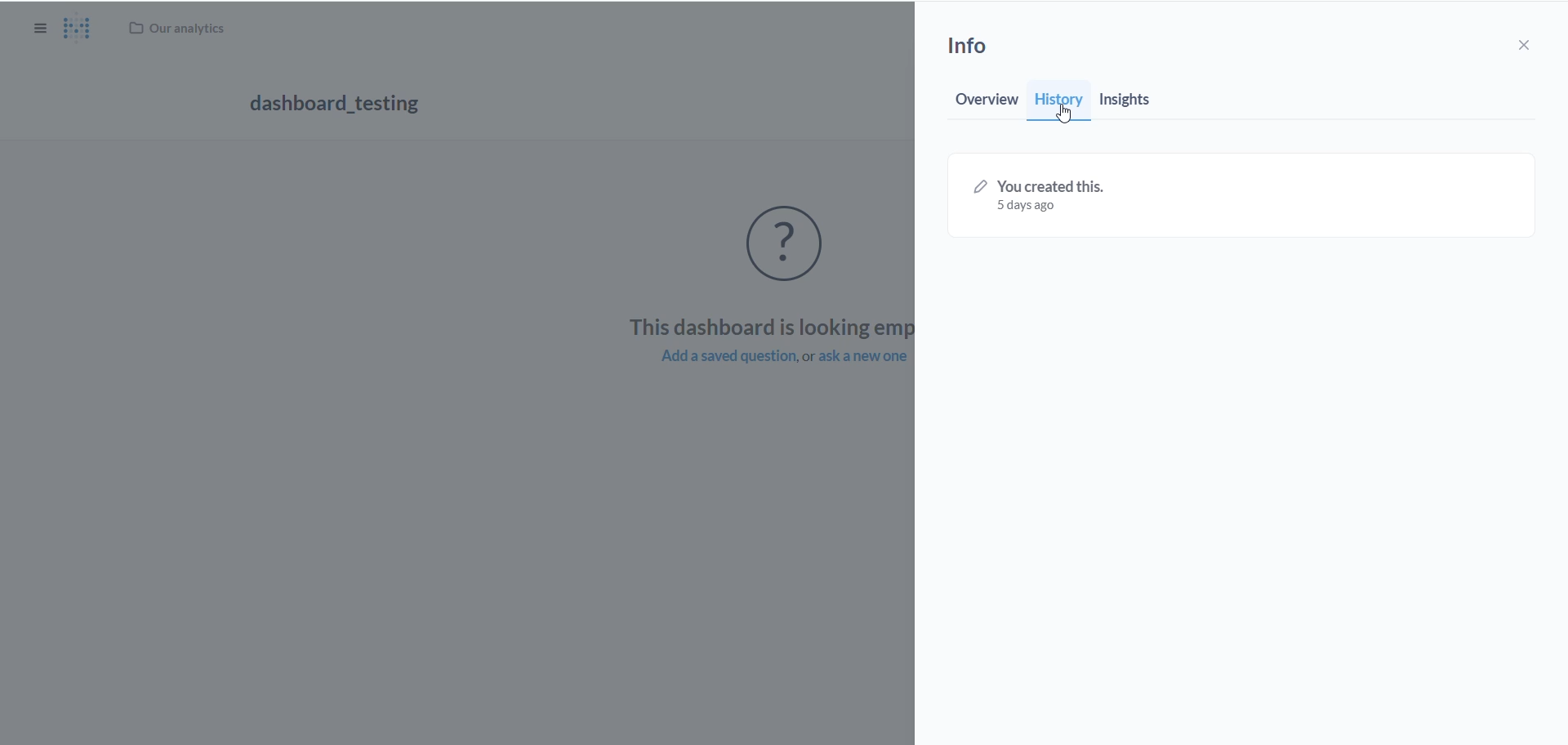  Describe the element at coordinates (765, 326) in the screenshot. I see `This dashboard is looking empty.` at that location.